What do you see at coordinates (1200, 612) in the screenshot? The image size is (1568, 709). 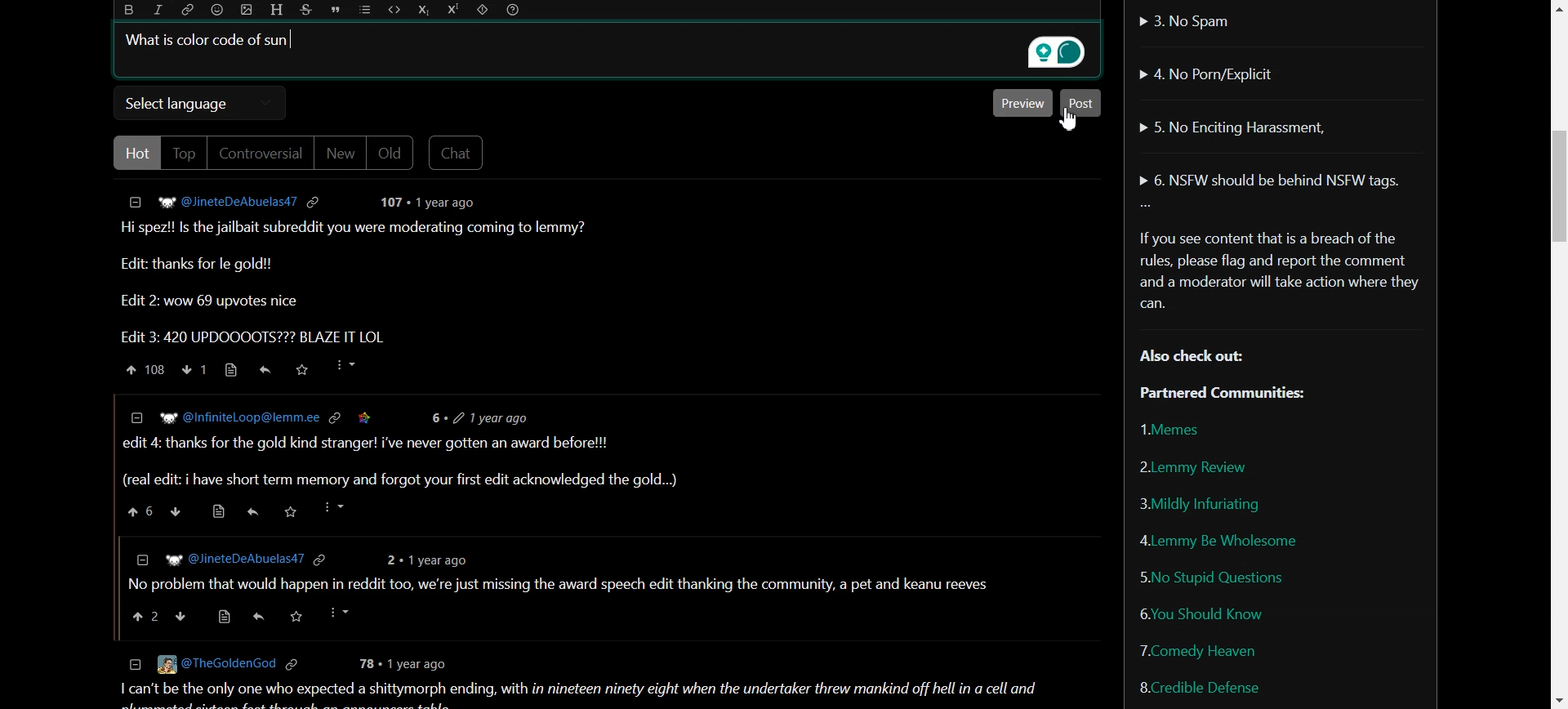 I see `You Should Know` at bounding box center [1200, 612].